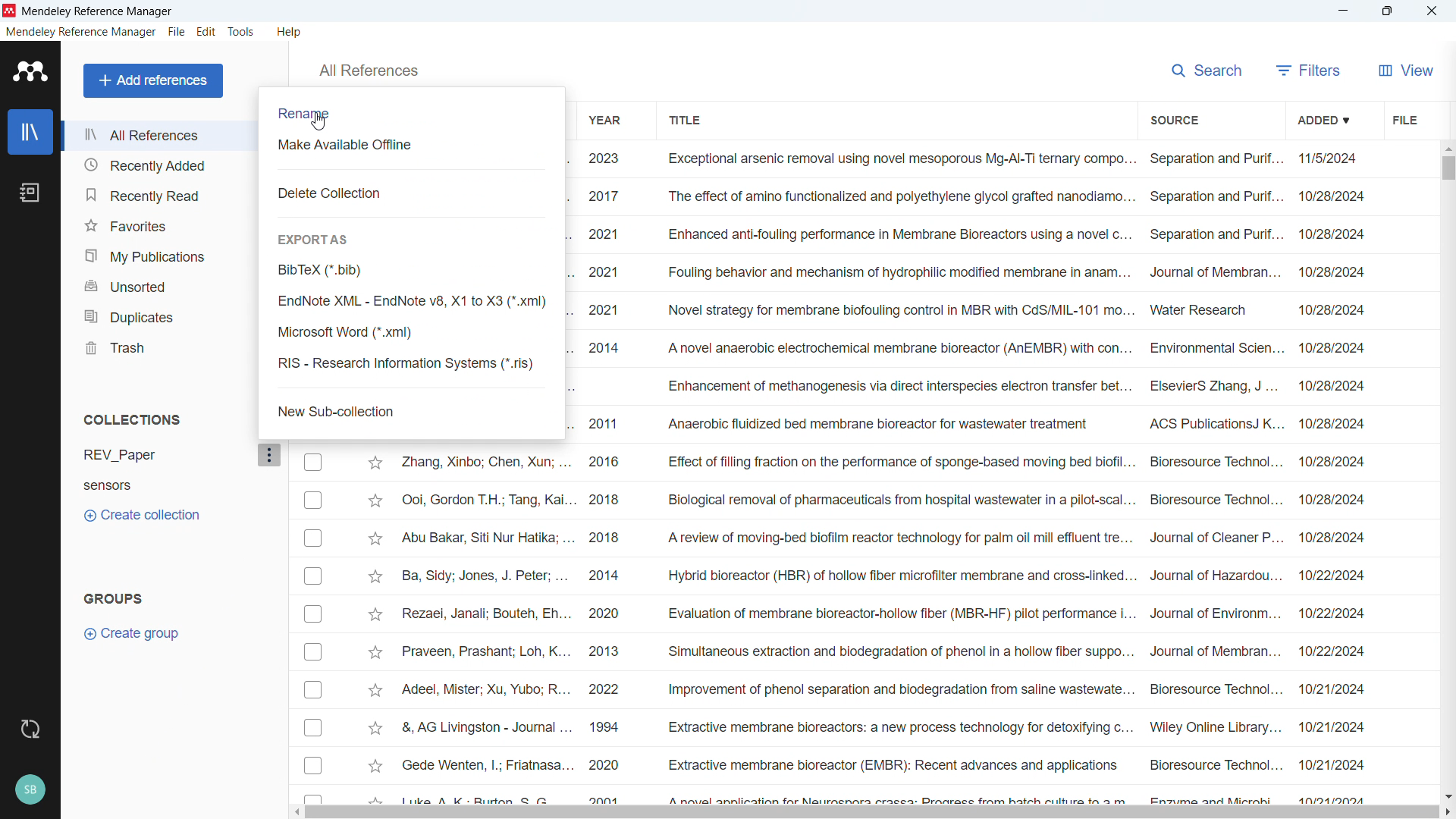 This screenshot has height=819, width=1456. I want to click on Star mark respective publication, so click(375, 538).